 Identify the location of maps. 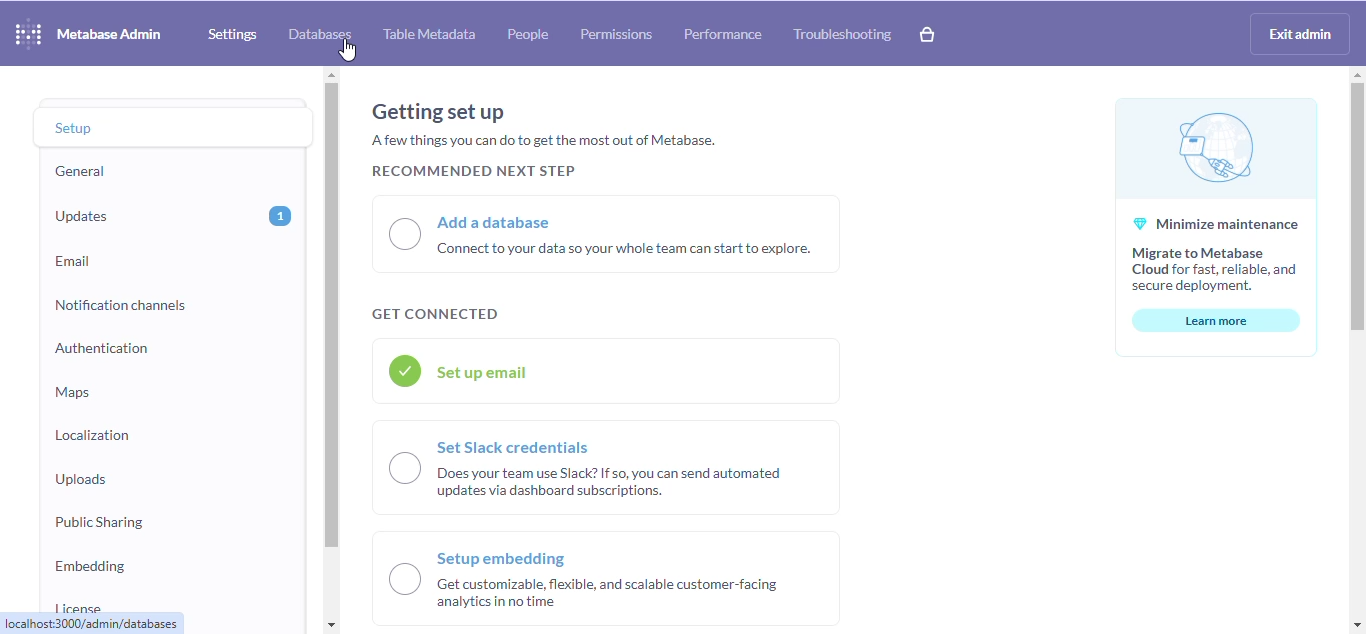
(72, 392).